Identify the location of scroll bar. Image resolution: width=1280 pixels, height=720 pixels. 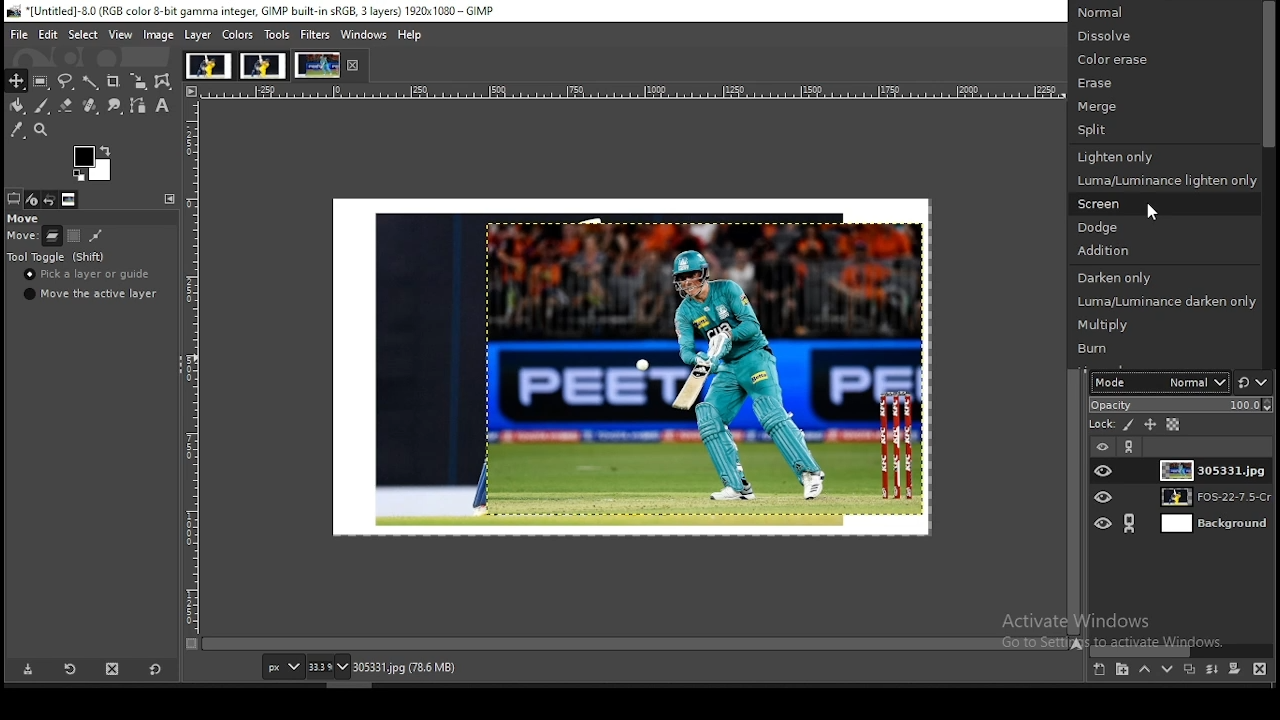
(1268, 184).